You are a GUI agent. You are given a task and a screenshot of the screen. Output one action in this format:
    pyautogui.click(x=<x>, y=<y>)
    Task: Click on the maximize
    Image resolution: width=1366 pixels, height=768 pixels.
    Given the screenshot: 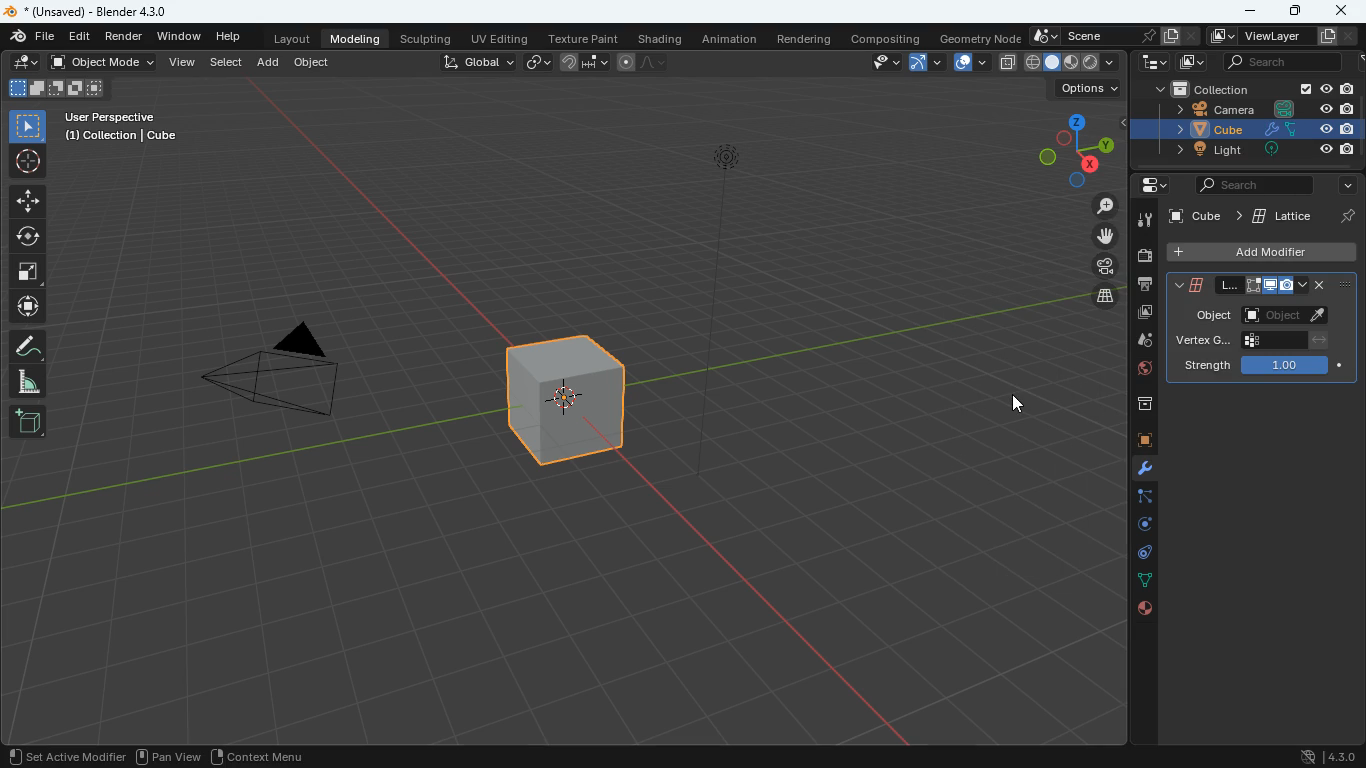 What is the action you would take?
    pyautogui.click(x=1296, y=12)
    